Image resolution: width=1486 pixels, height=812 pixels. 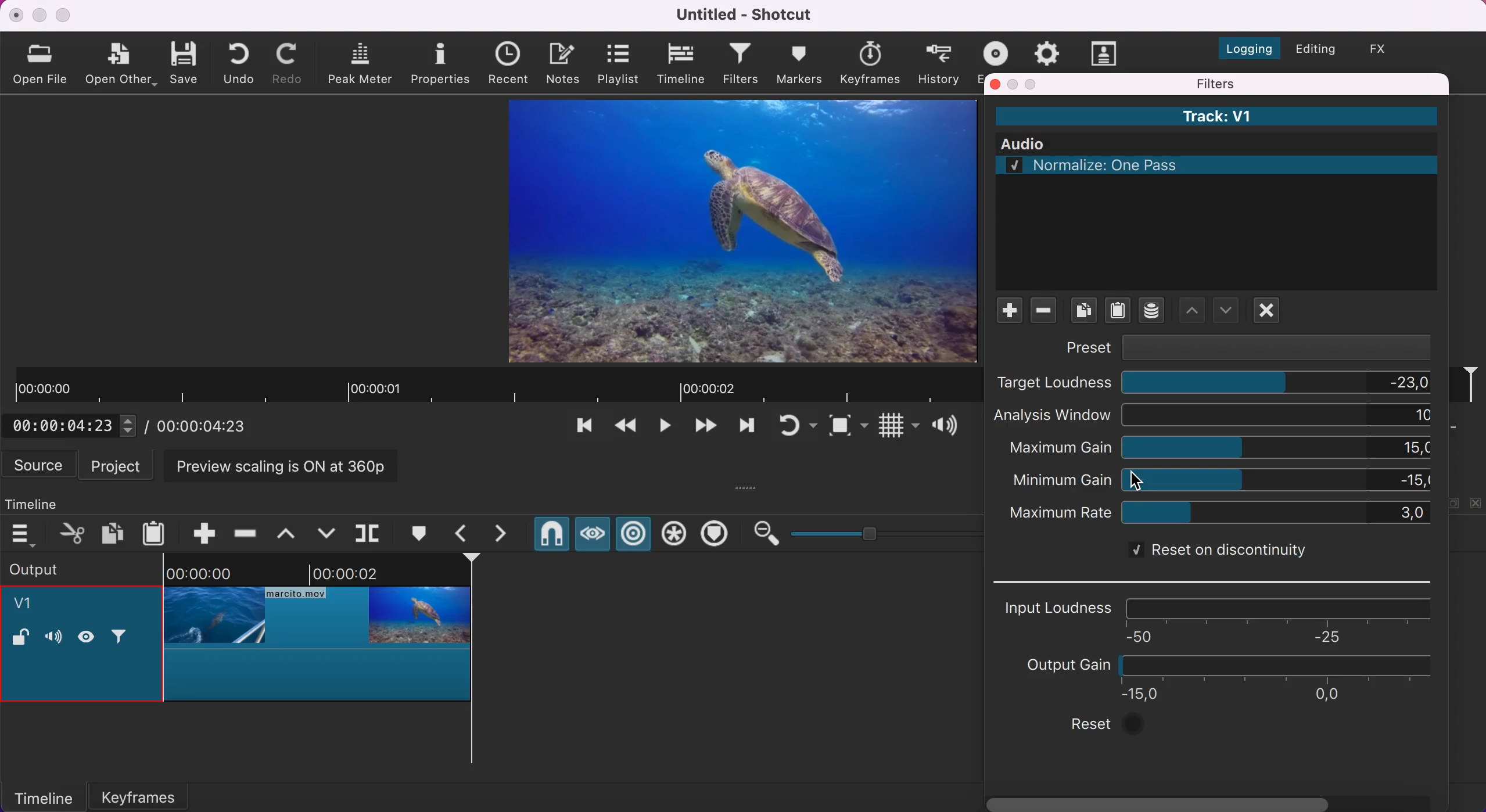 What do you see at coordinates (869, 63) in the screenshot?
I see `keyframes` at bounding box center [869, 63].